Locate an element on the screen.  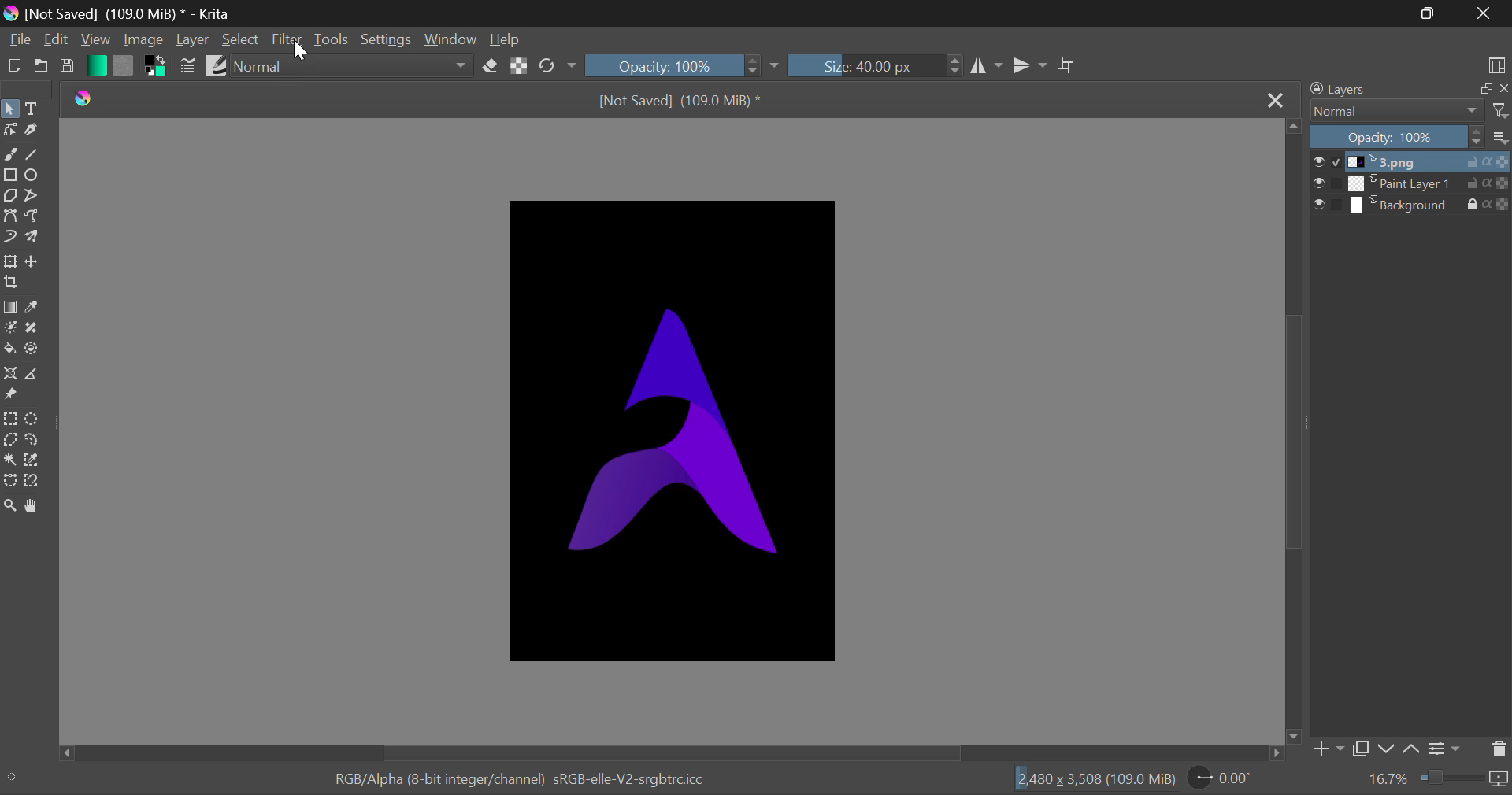
Polygons is located at coordinates (9, 196).